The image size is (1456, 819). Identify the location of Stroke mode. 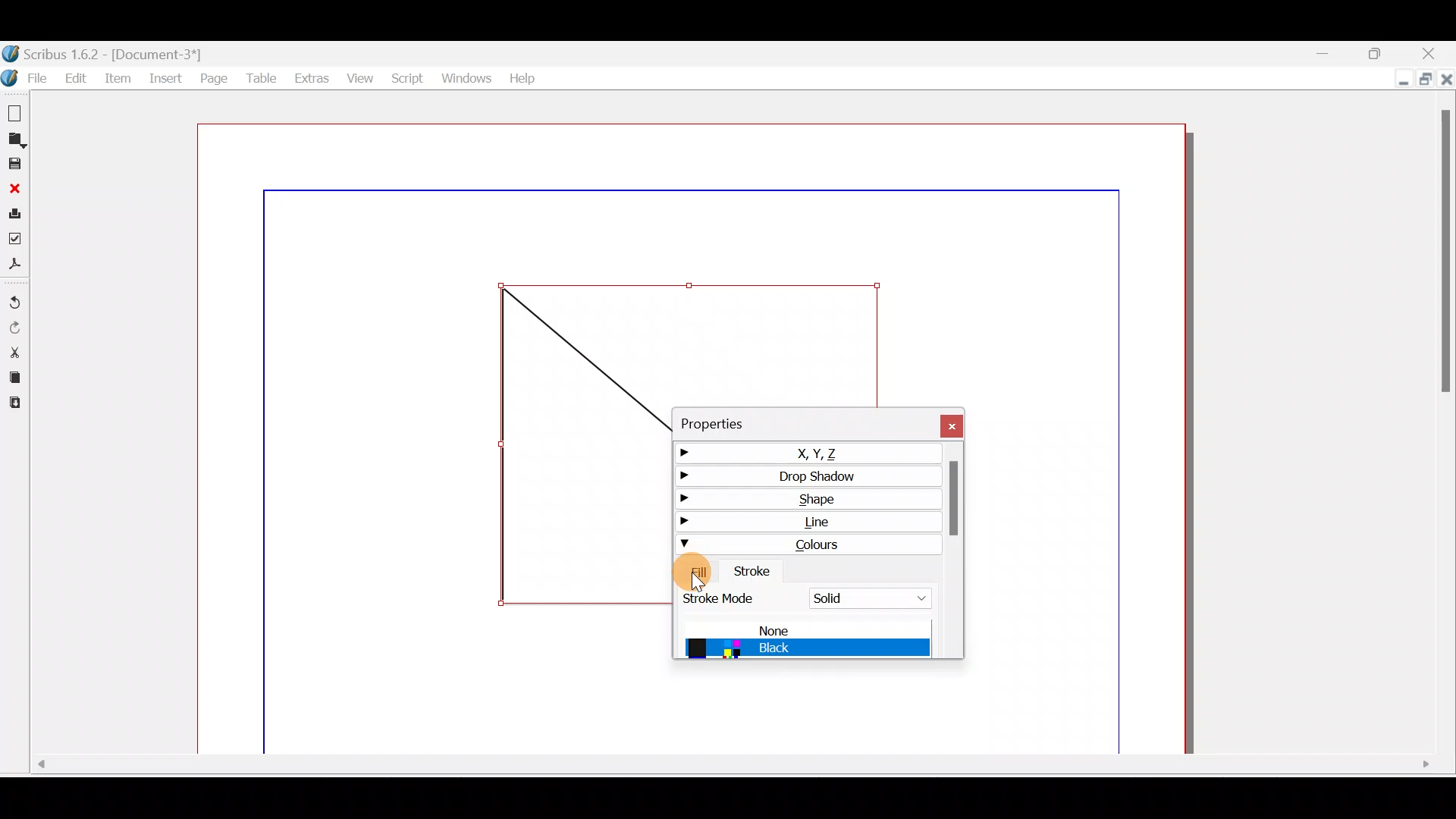
(722, 598).